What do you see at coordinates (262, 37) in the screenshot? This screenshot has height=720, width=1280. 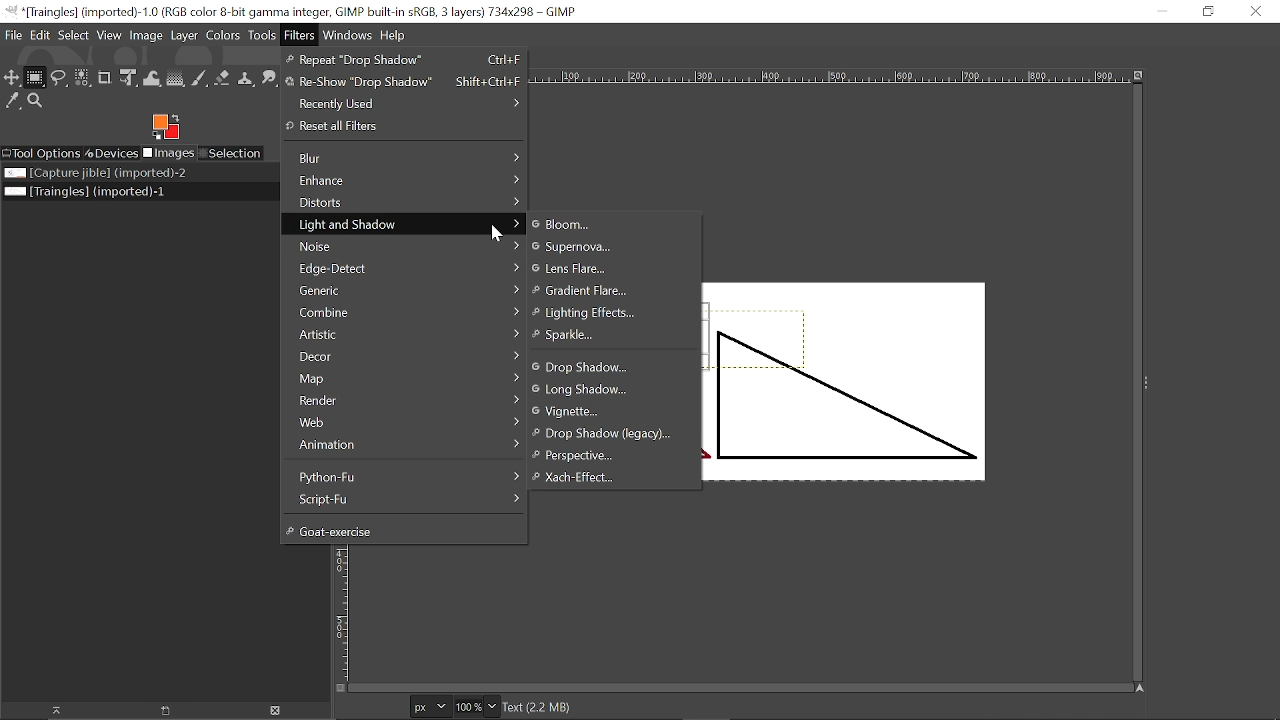 I see `Tools` at bounding box center [262, 37].